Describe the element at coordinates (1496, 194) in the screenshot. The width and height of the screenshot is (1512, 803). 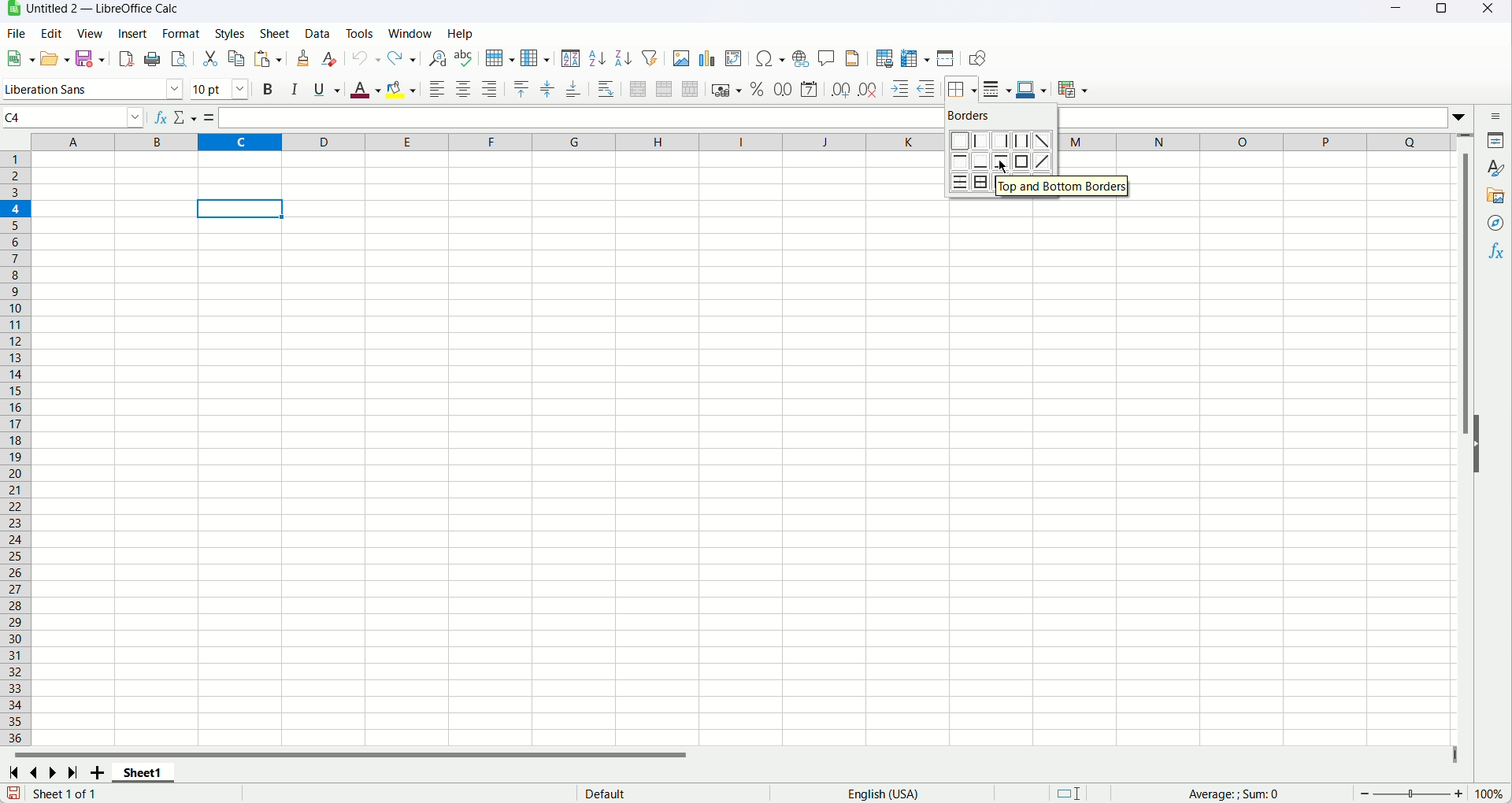
I see `Gallery` at that location.